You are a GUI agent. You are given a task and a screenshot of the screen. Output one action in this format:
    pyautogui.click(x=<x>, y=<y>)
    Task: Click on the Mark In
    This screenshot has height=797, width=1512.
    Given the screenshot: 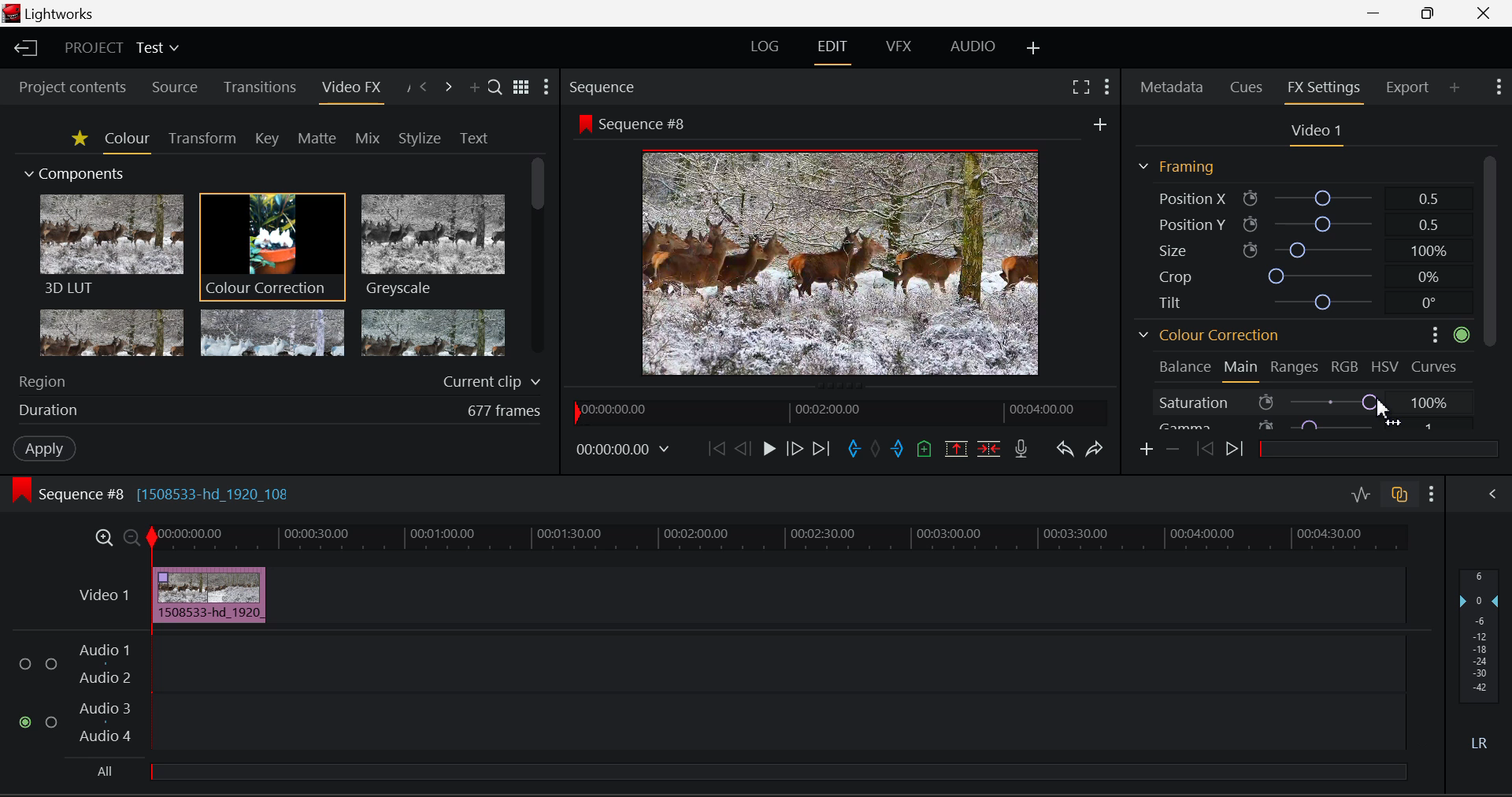 What is the action you would take?
    pyautogui.click(x=854, y=451)
    